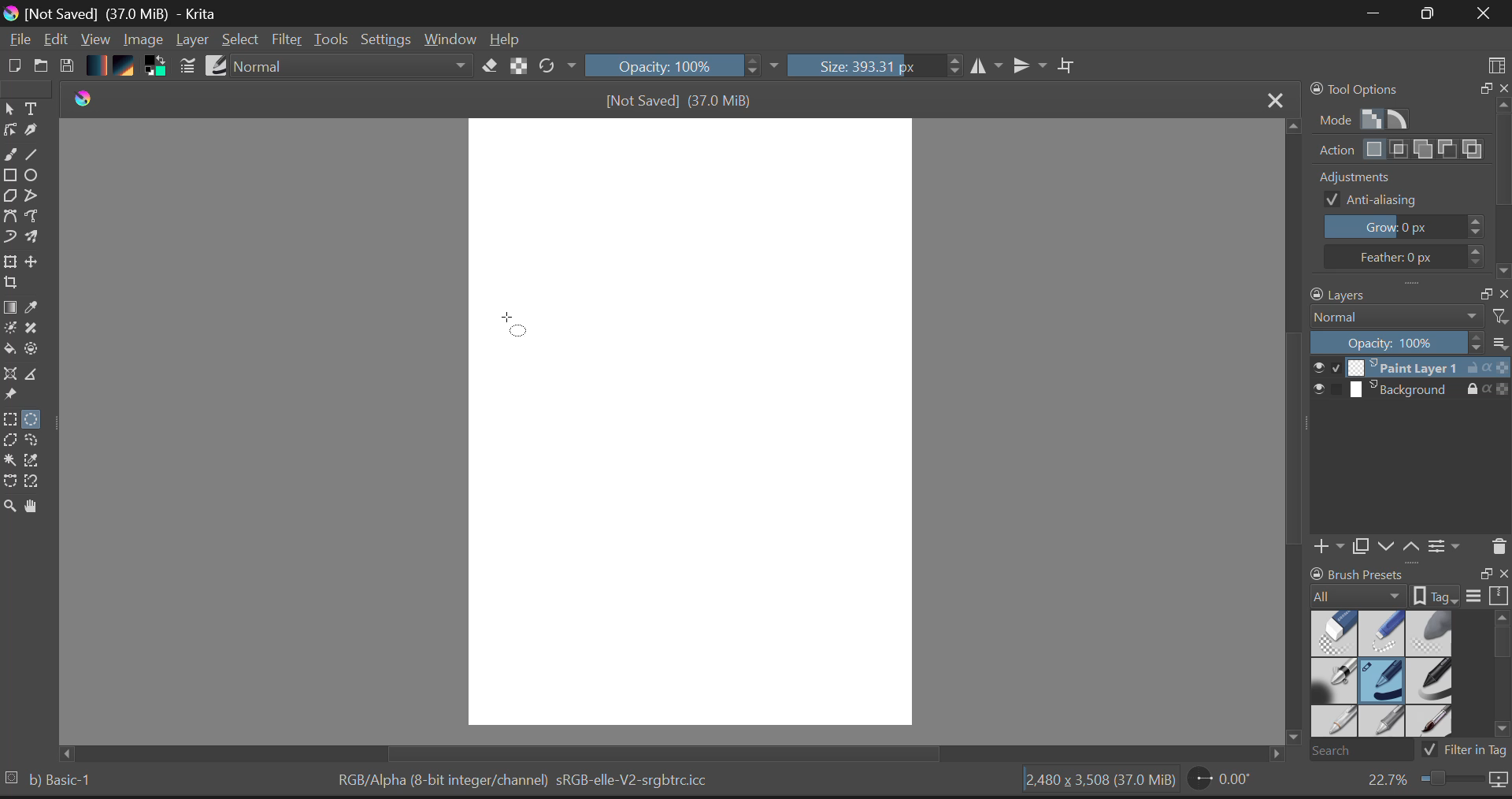 Image resolution: width=1512 pixels, height=799 pixels. I want to click on Smart Patch Tool, so click(34, 331).